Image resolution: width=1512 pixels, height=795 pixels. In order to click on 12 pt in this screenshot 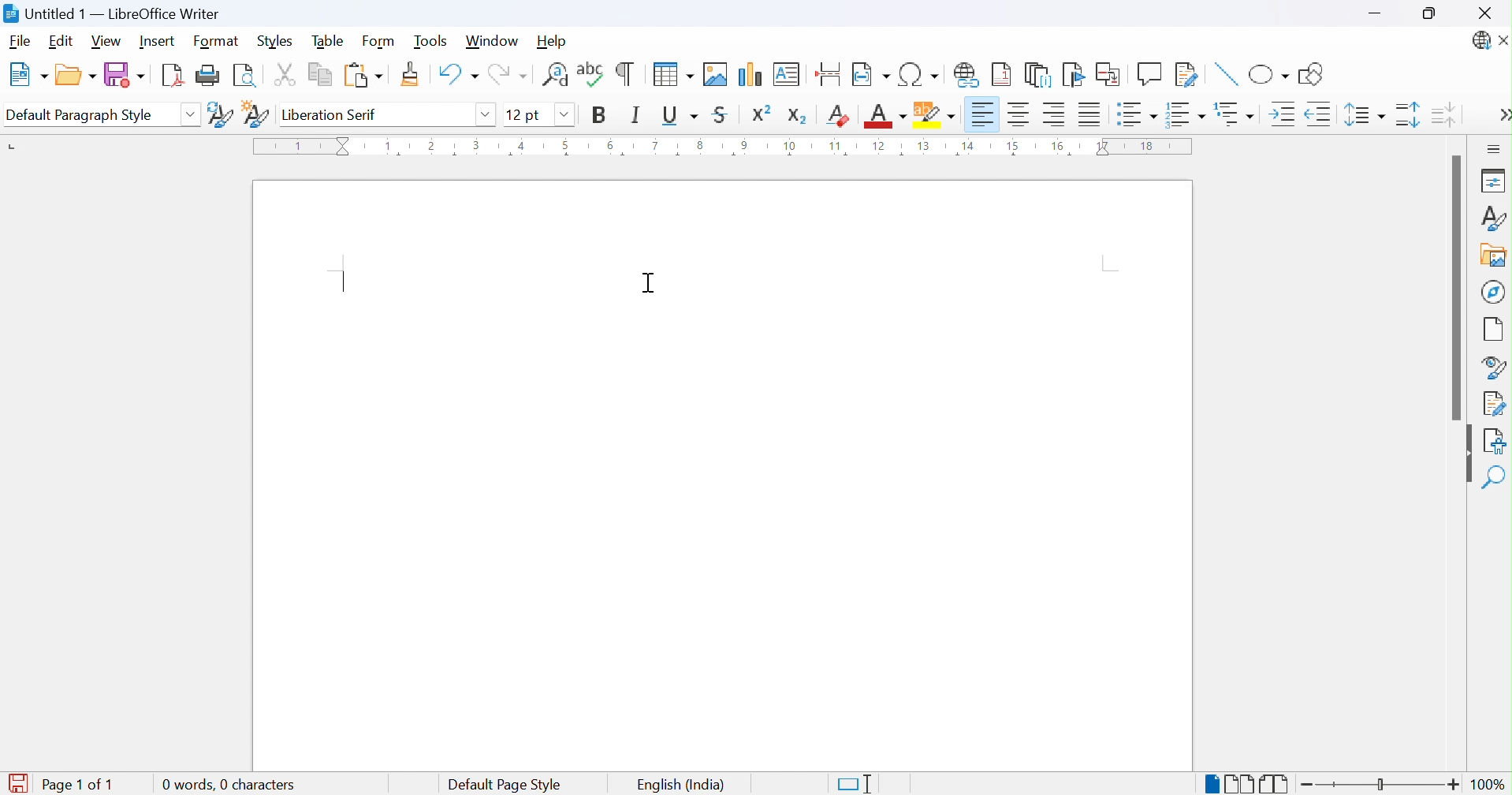, I will do `click(523, 113)`.